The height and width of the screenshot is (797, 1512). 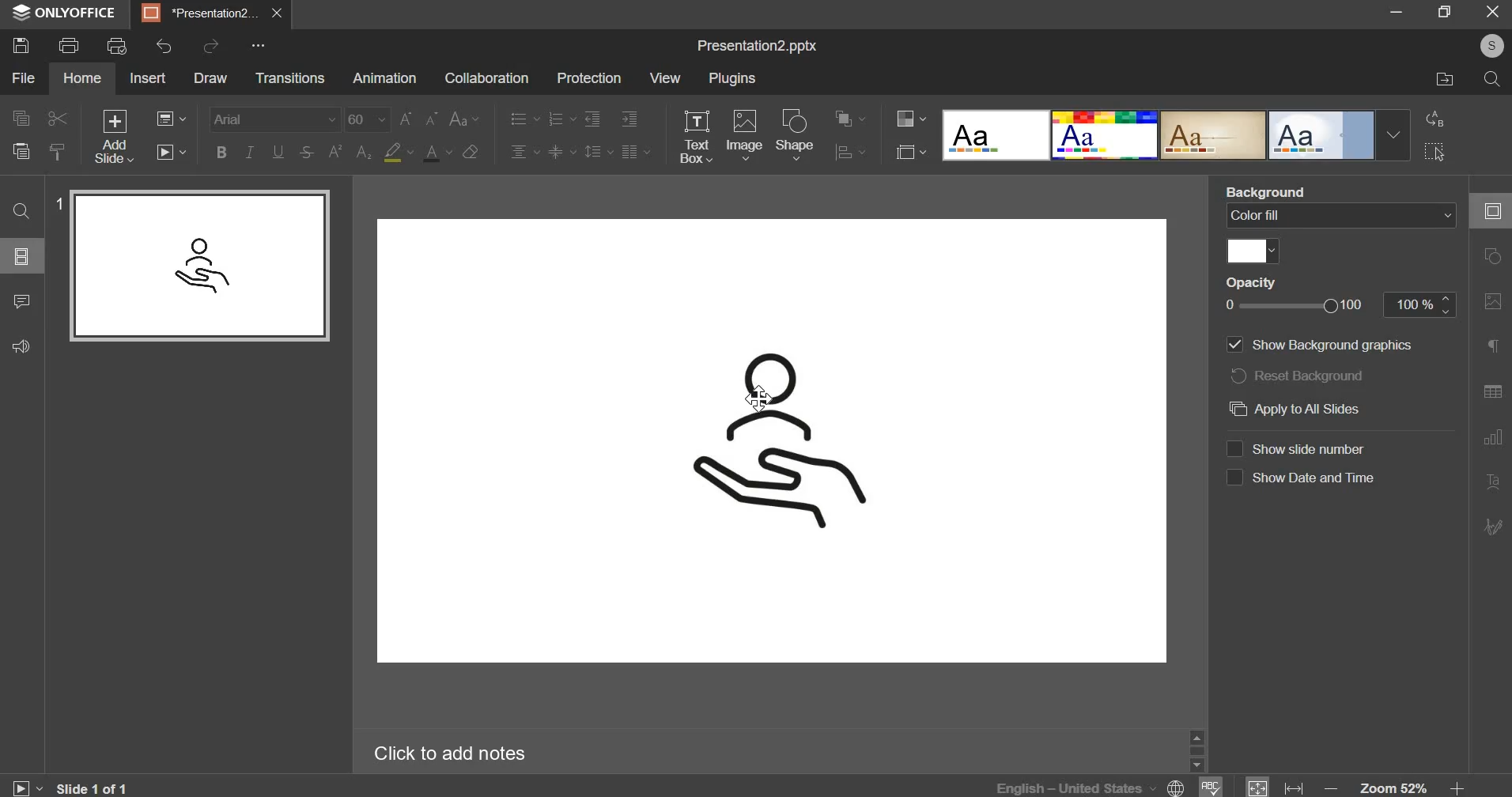 I want to click on search, so click(x=1494, y=80).